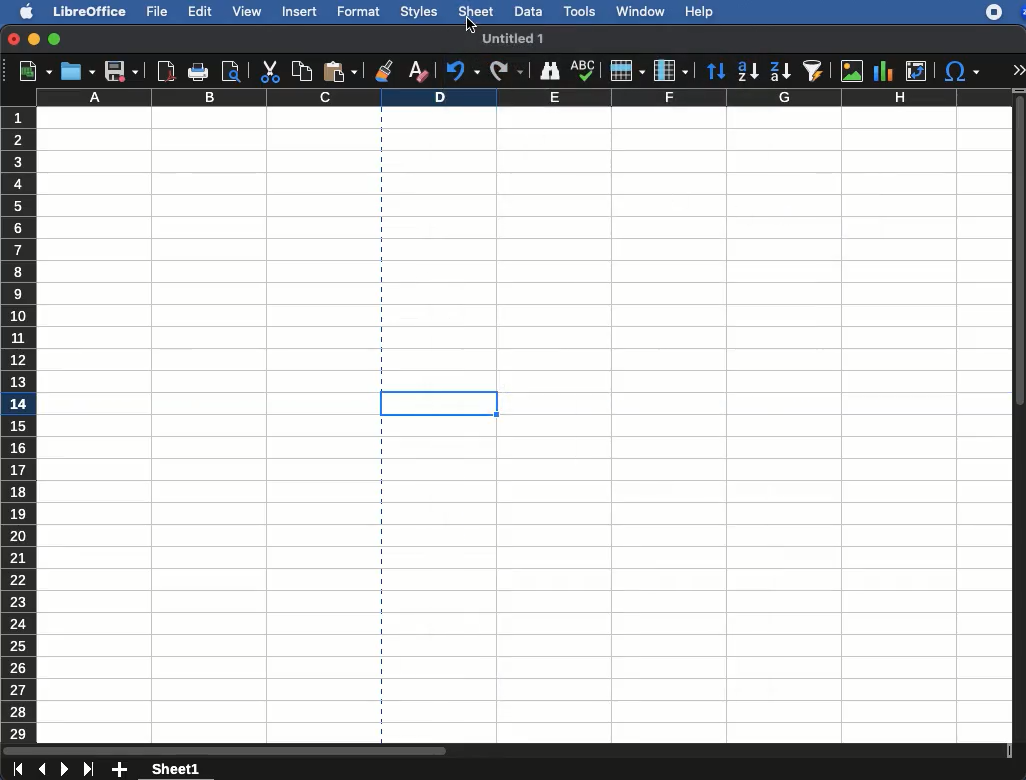 This screenshot has width=1026, height=780. What do you see at coordinates (155, 11) in the screenshot?
I see `file` at bounding box center [155, 11].